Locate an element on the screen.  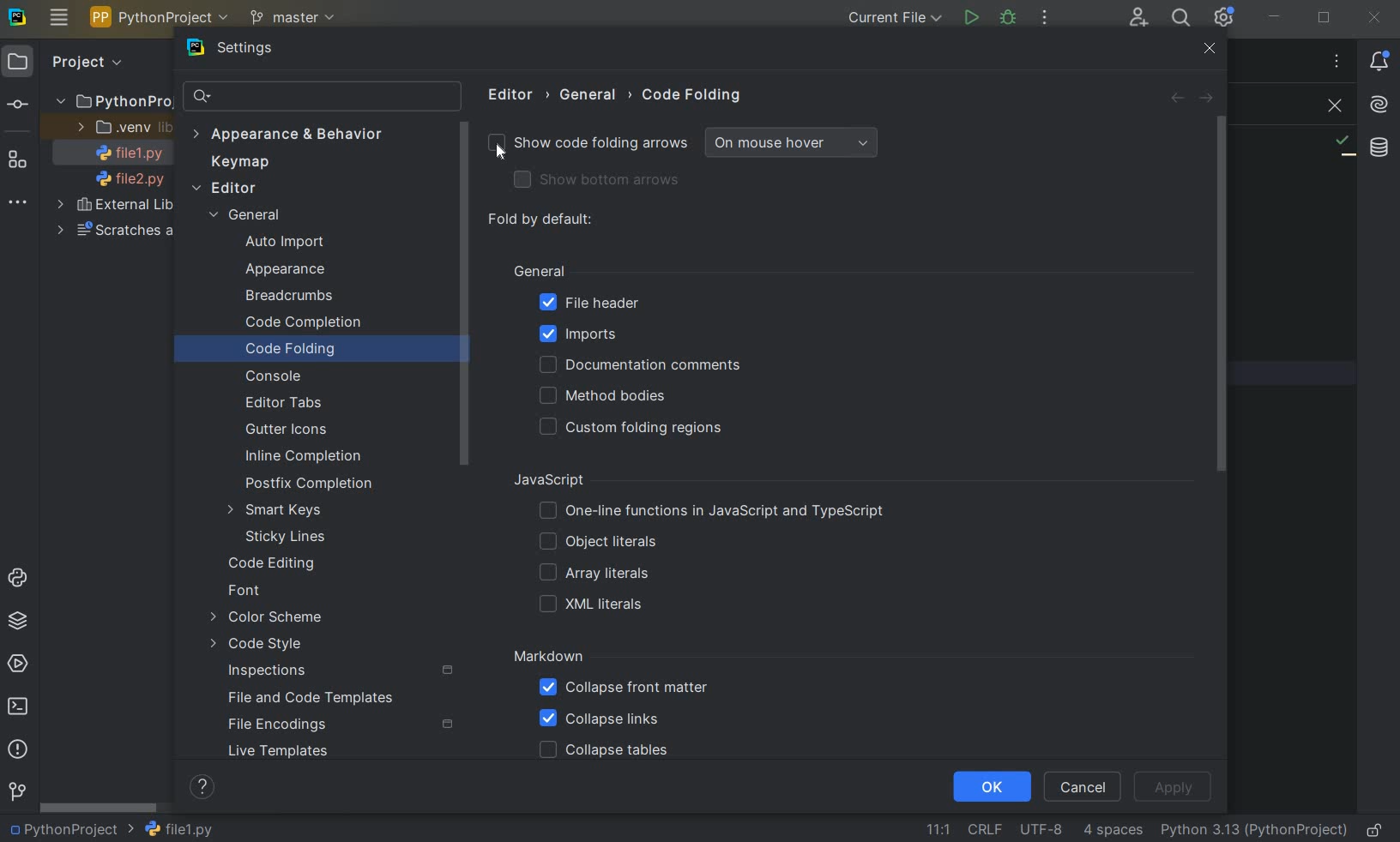
DATABASE is located at coordinates (1379, 147).